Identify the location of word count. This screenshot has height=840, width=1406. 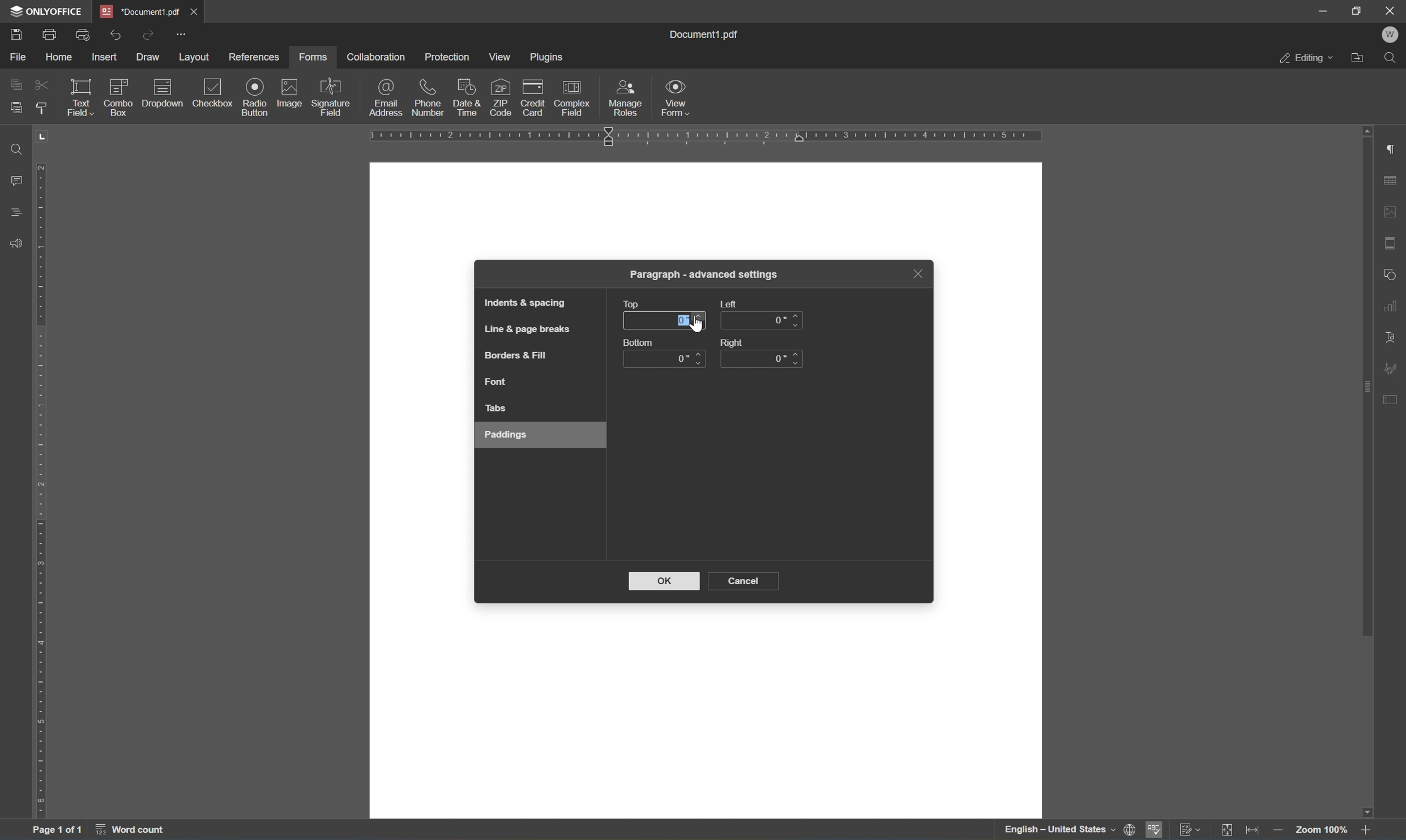
(140, 831).